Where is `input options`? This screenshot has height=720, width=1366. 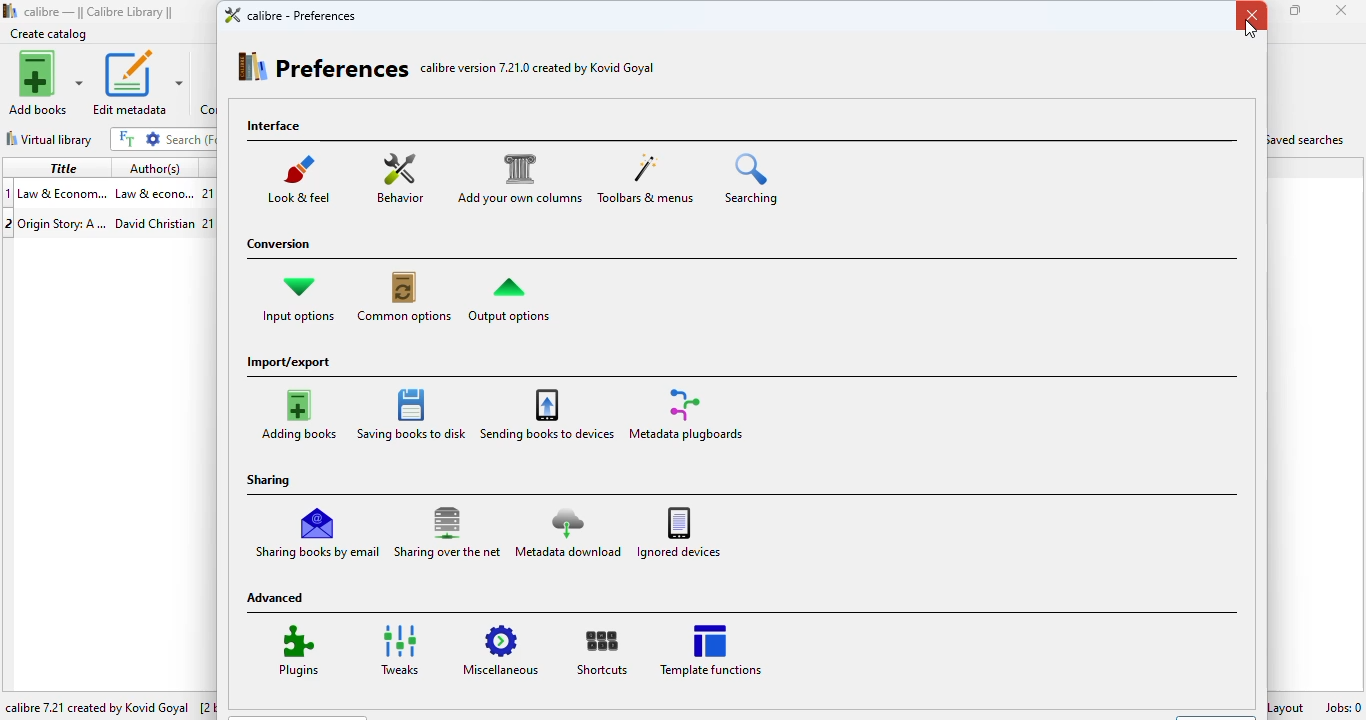
input options is located at coordinates (298, 299).